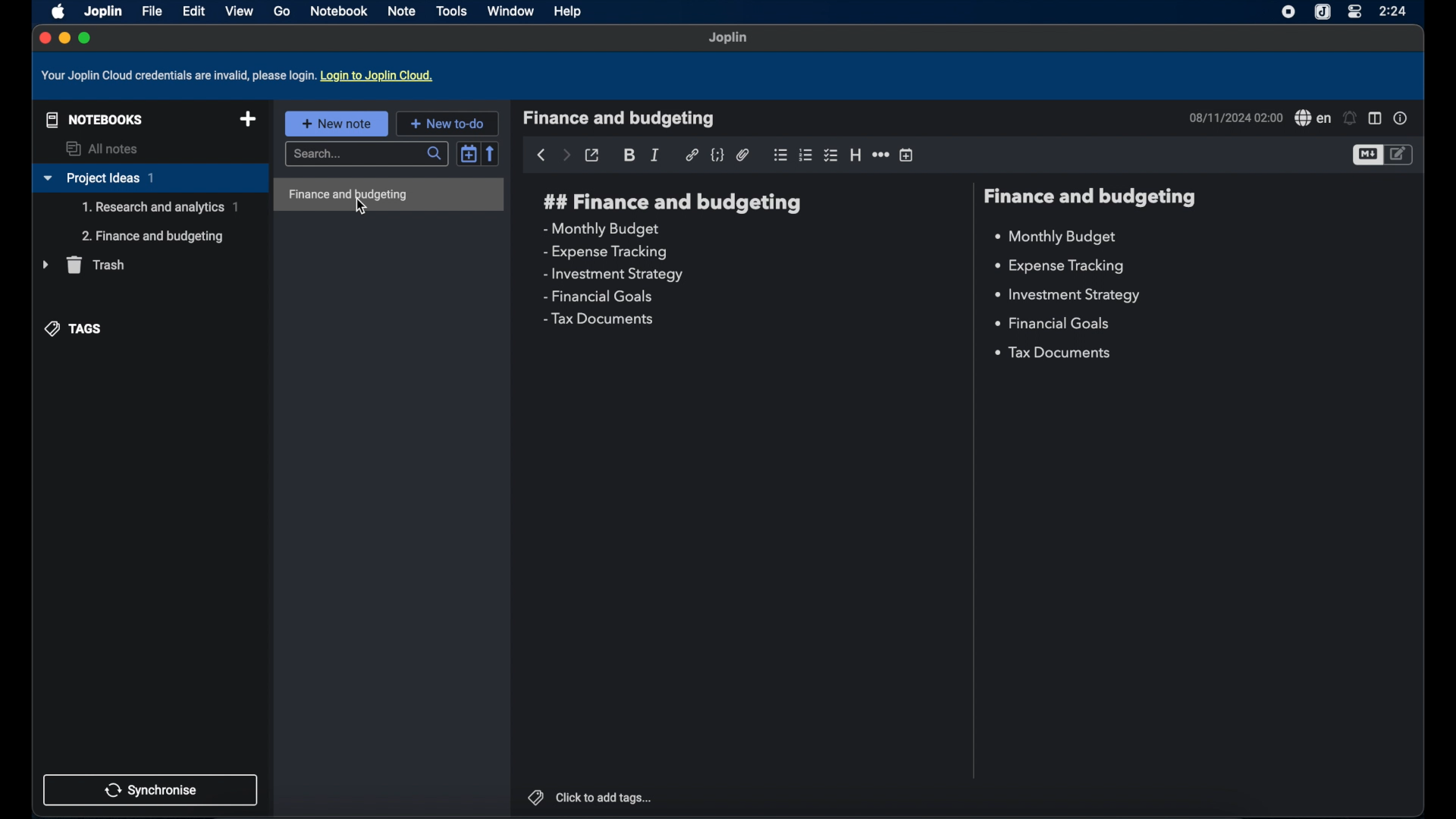 The image size is (1456, 819). I want to click on project ideas 1, so click(149, 179).